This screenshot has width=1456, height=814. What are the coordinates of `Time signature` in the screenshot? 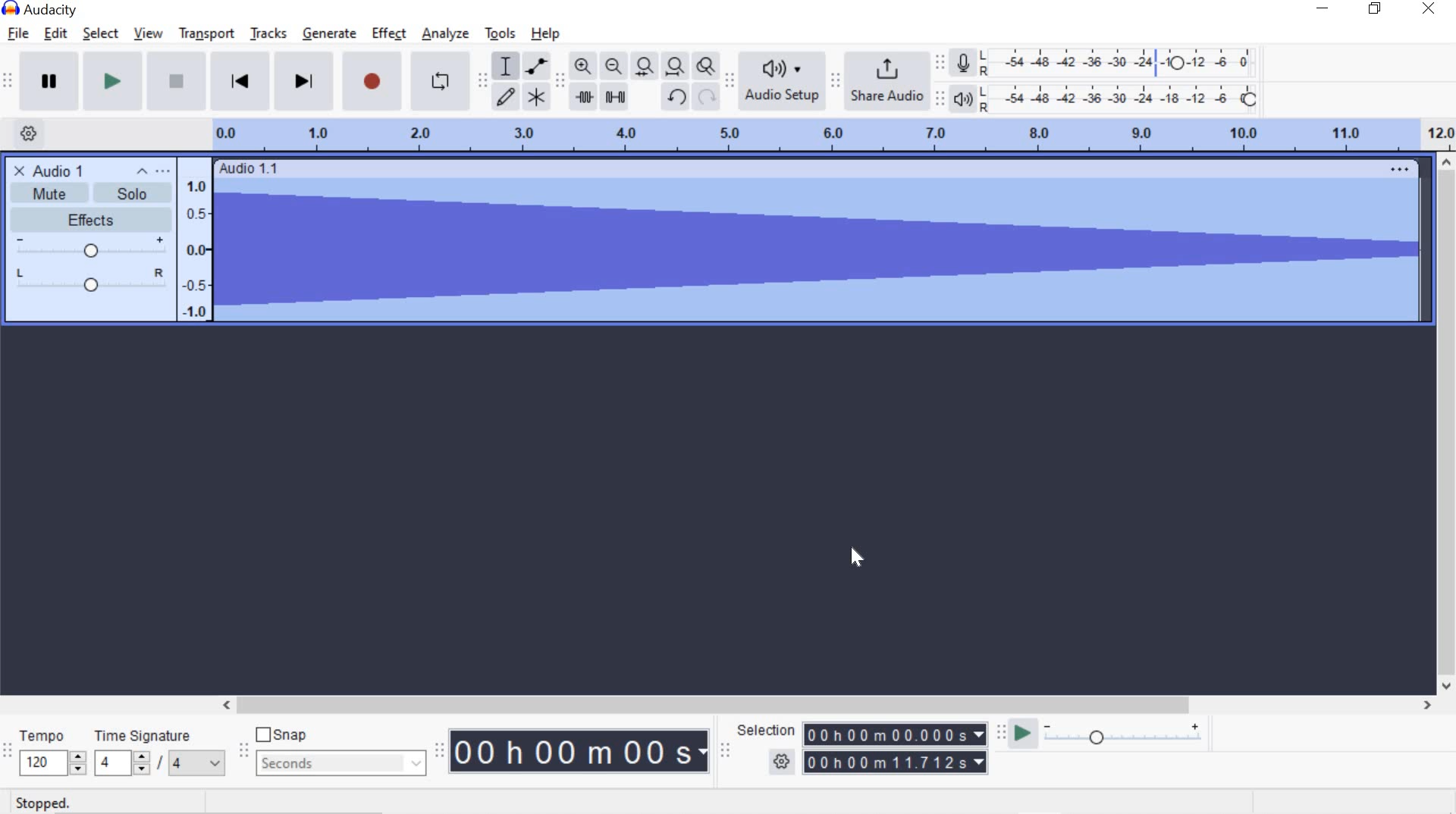 It's located at (156, 750).